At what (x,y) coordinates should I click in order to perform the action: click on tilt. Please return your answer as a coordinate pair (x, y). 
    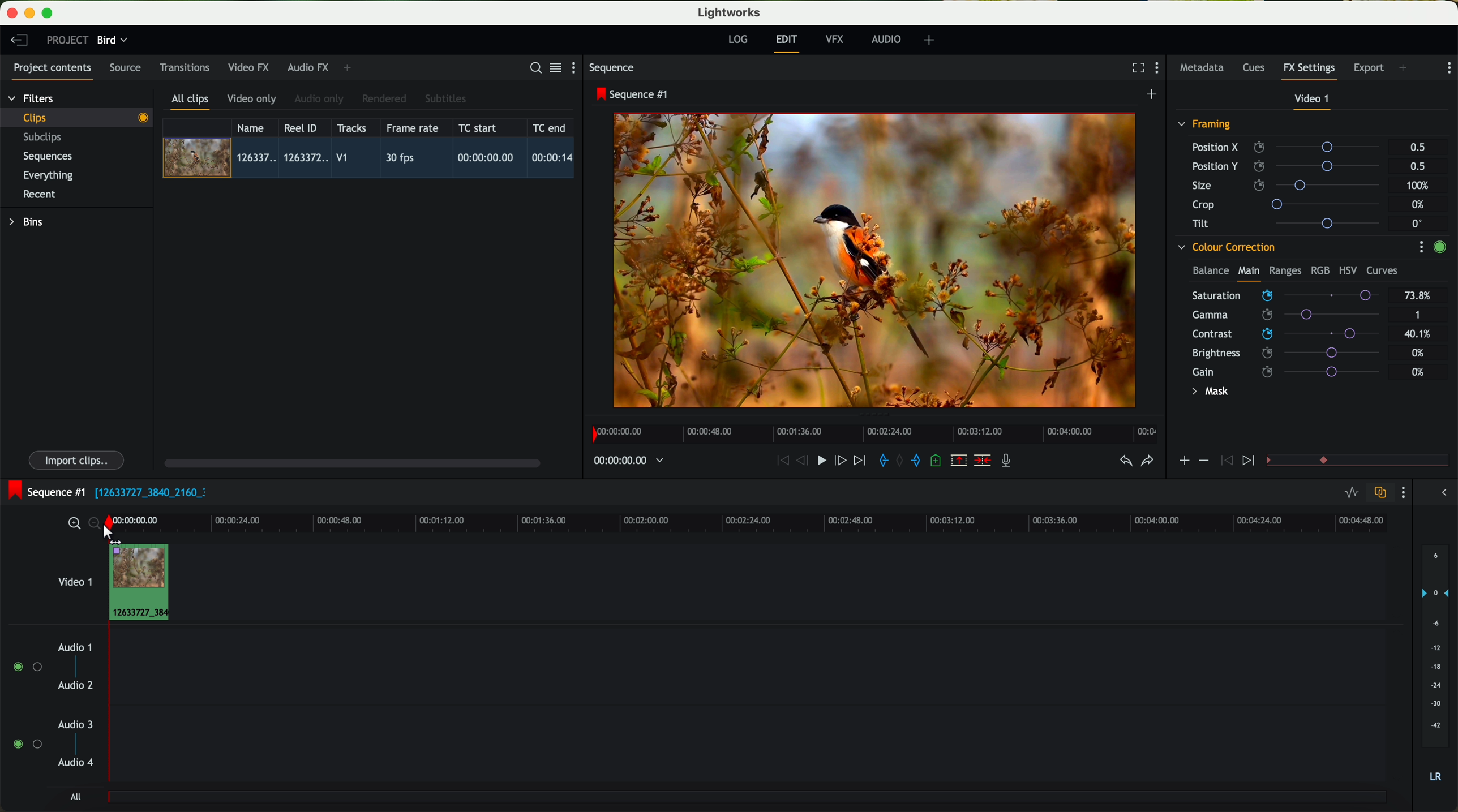
    Looking at the image, I should click on (1291, 223).